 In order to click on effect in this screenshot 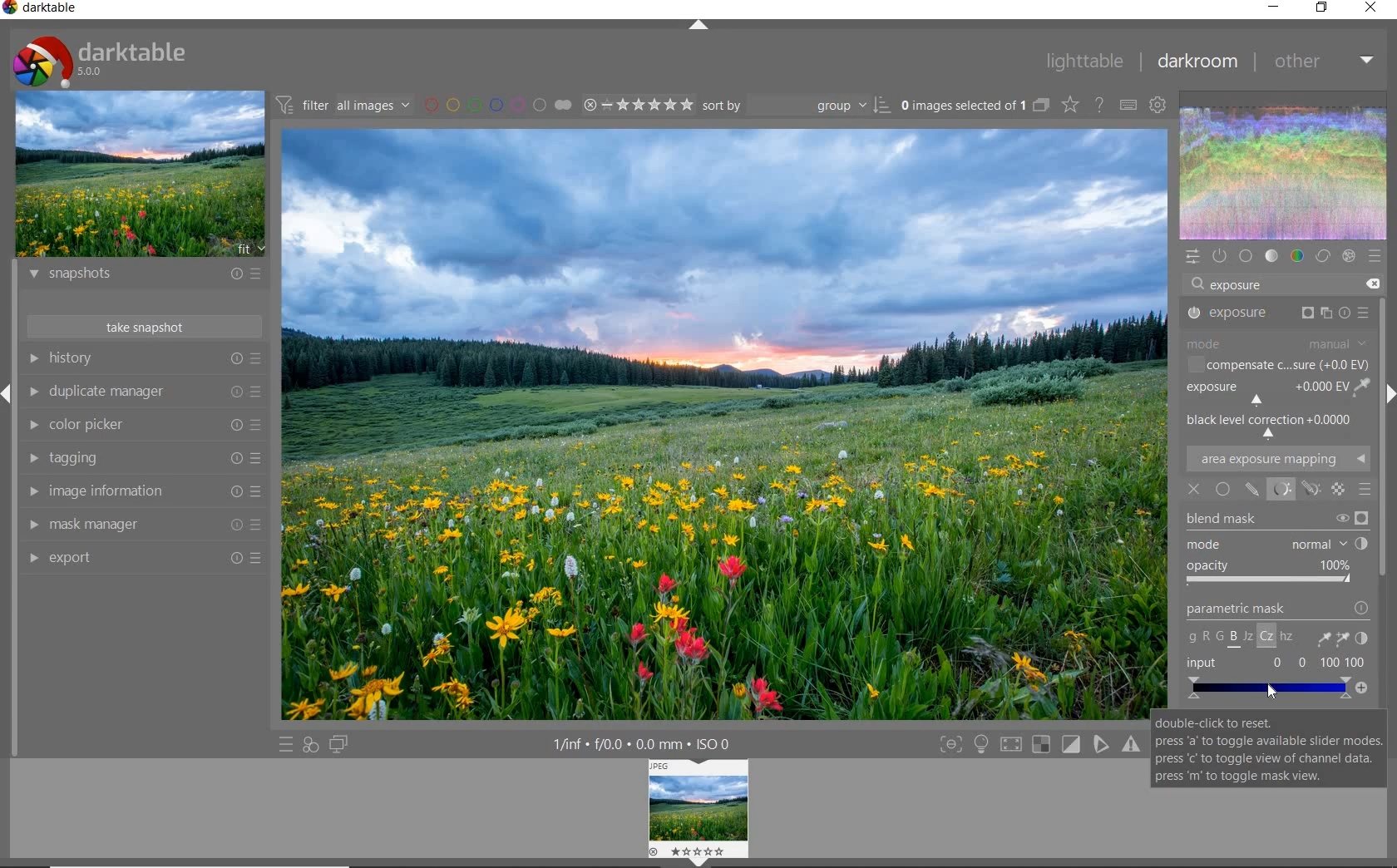, I will do `click(1348, 258)`.